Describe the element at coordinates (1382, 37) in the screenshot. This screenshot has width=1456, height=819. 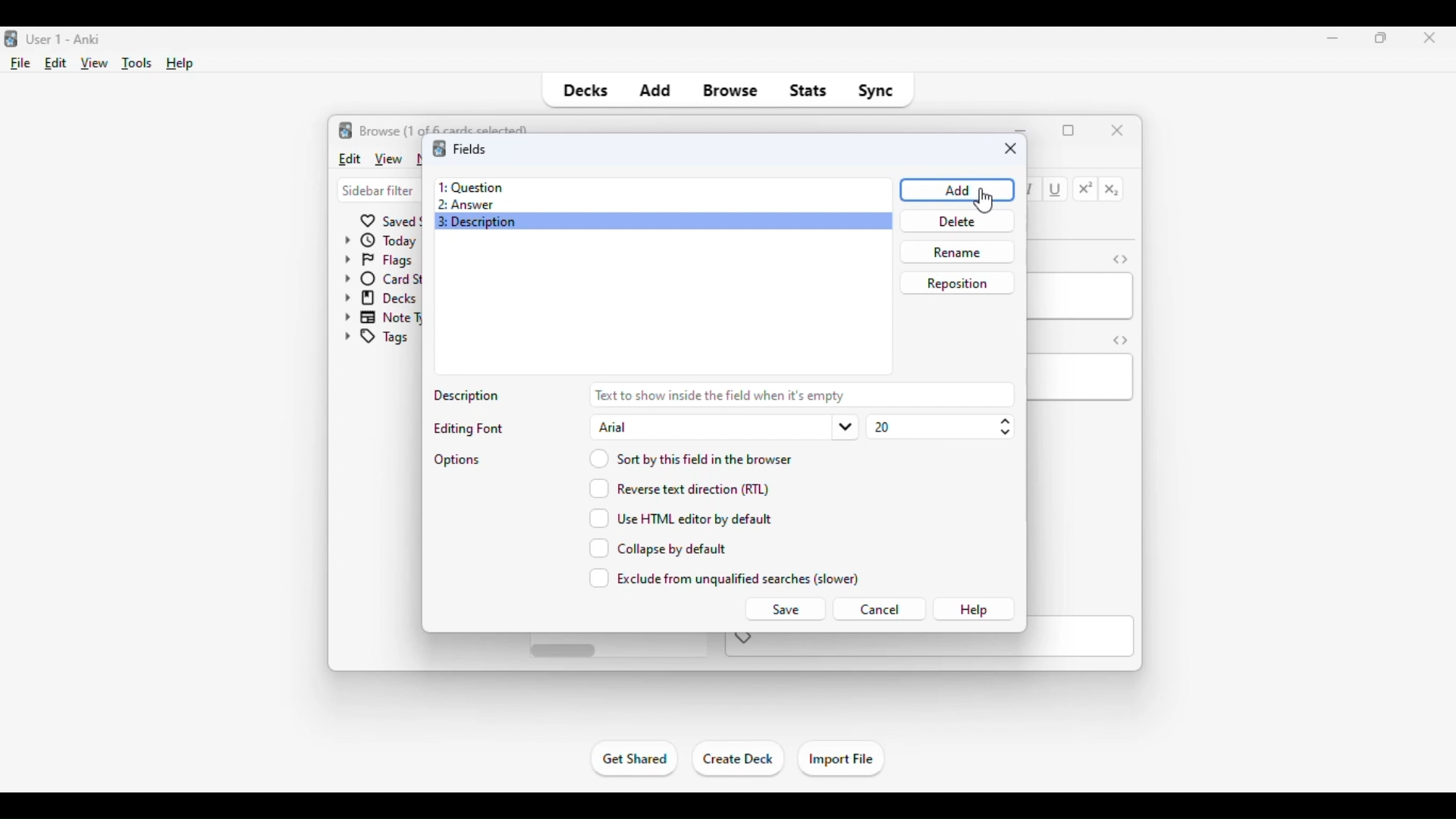
I see `maximize` at that location.